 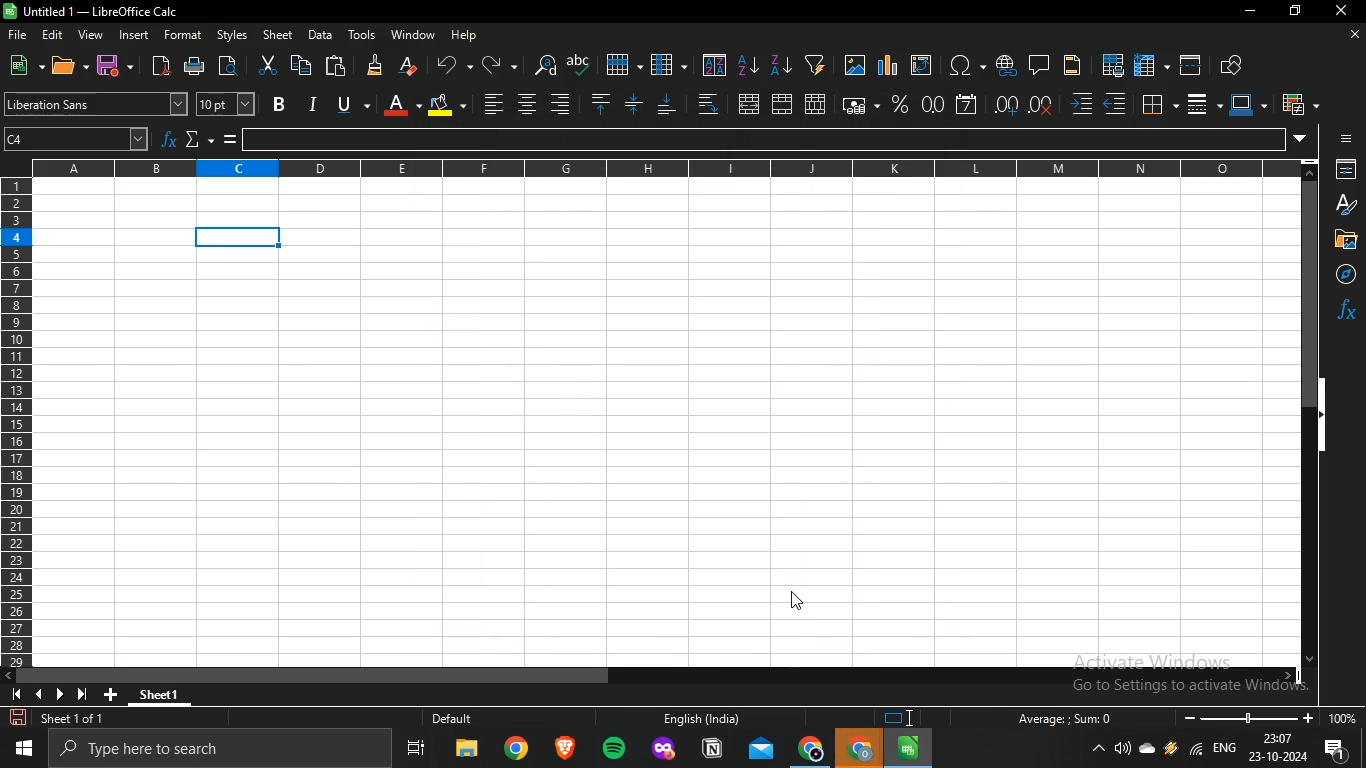 I want to click on Average: : Sum: 0, so click(x=1057, y=718).